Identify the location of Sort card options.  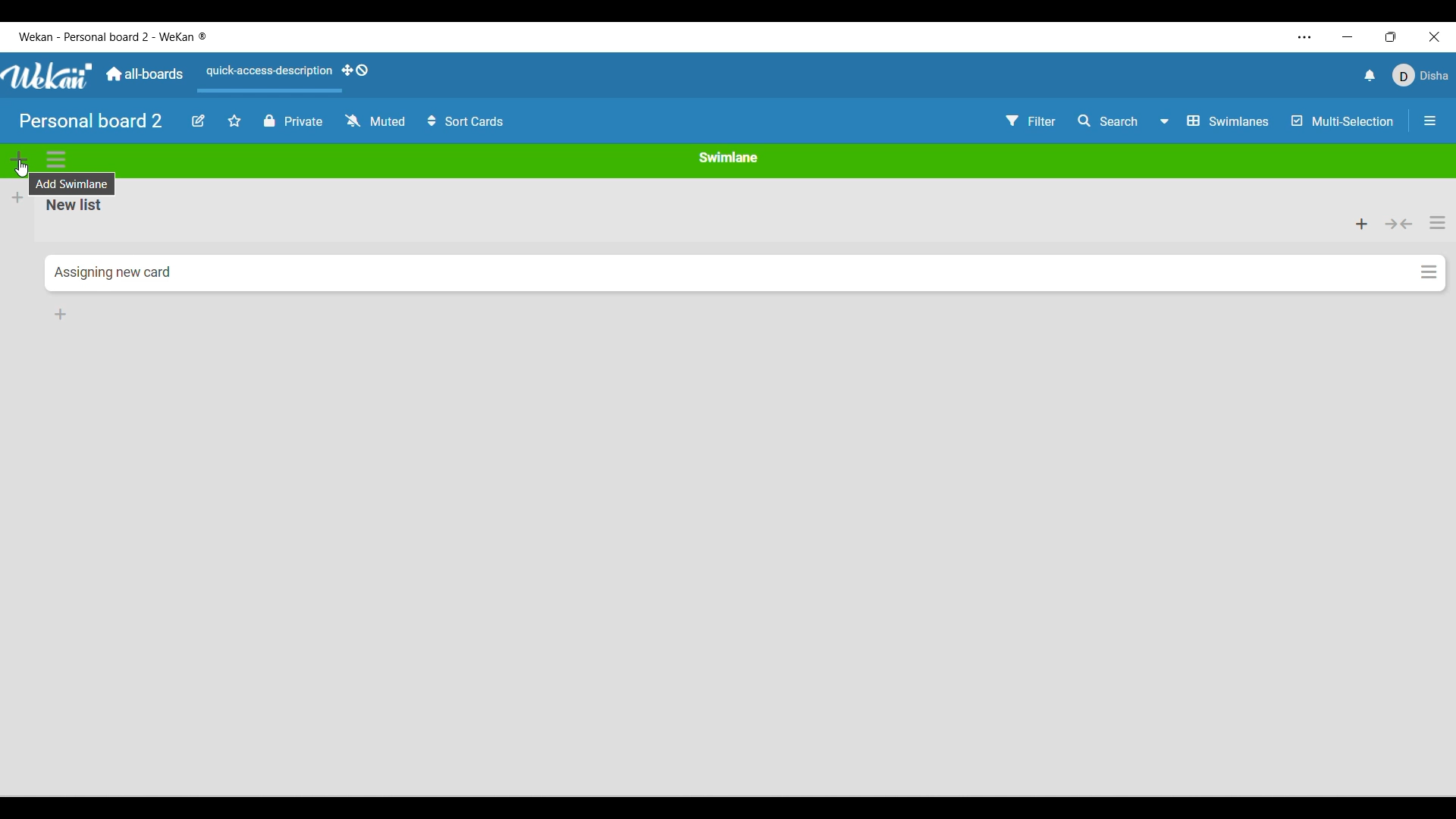
(466, 121).